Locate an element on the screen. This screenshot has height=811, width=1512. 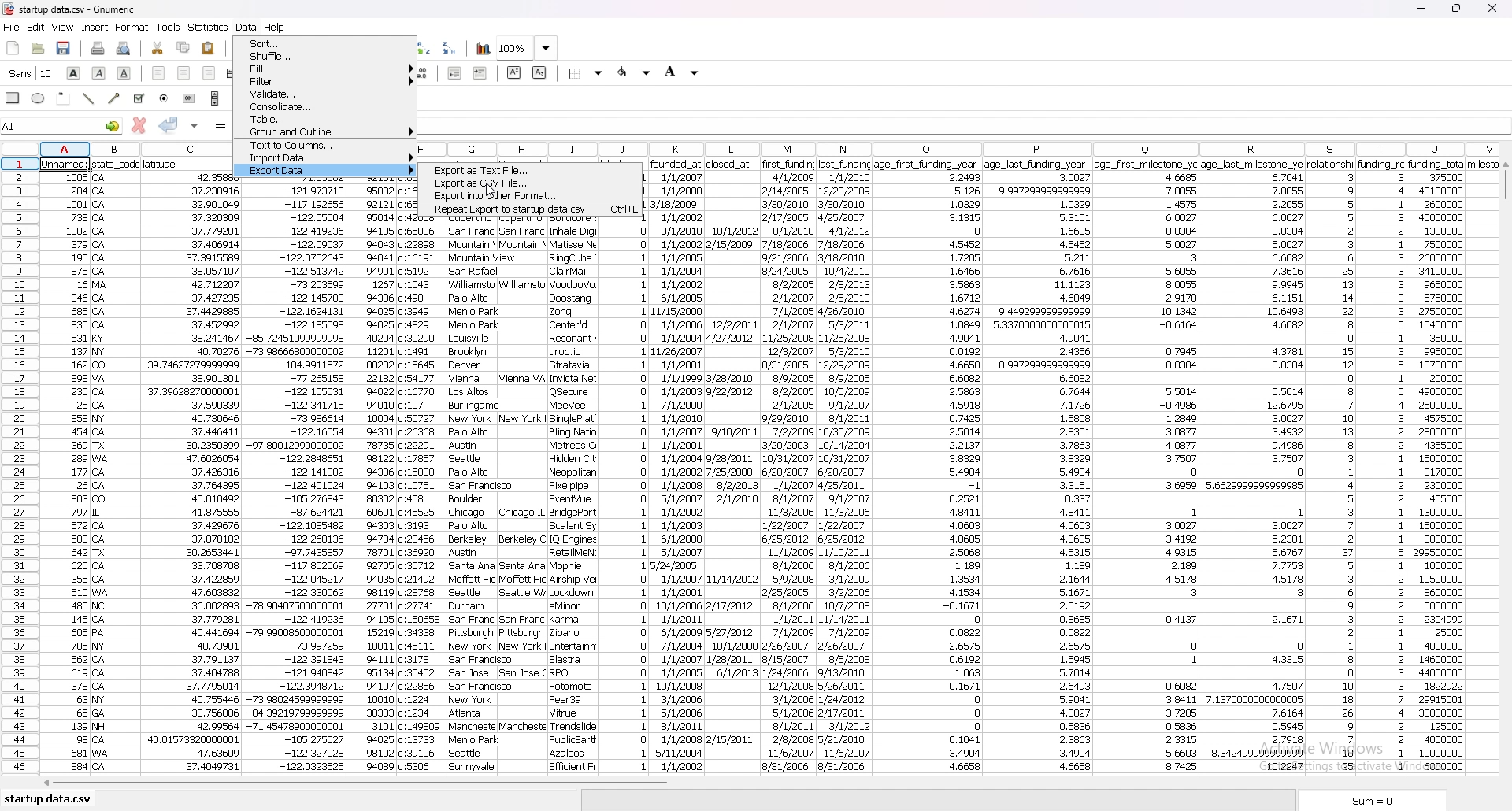
resize is located at coordinates (1458, 8).